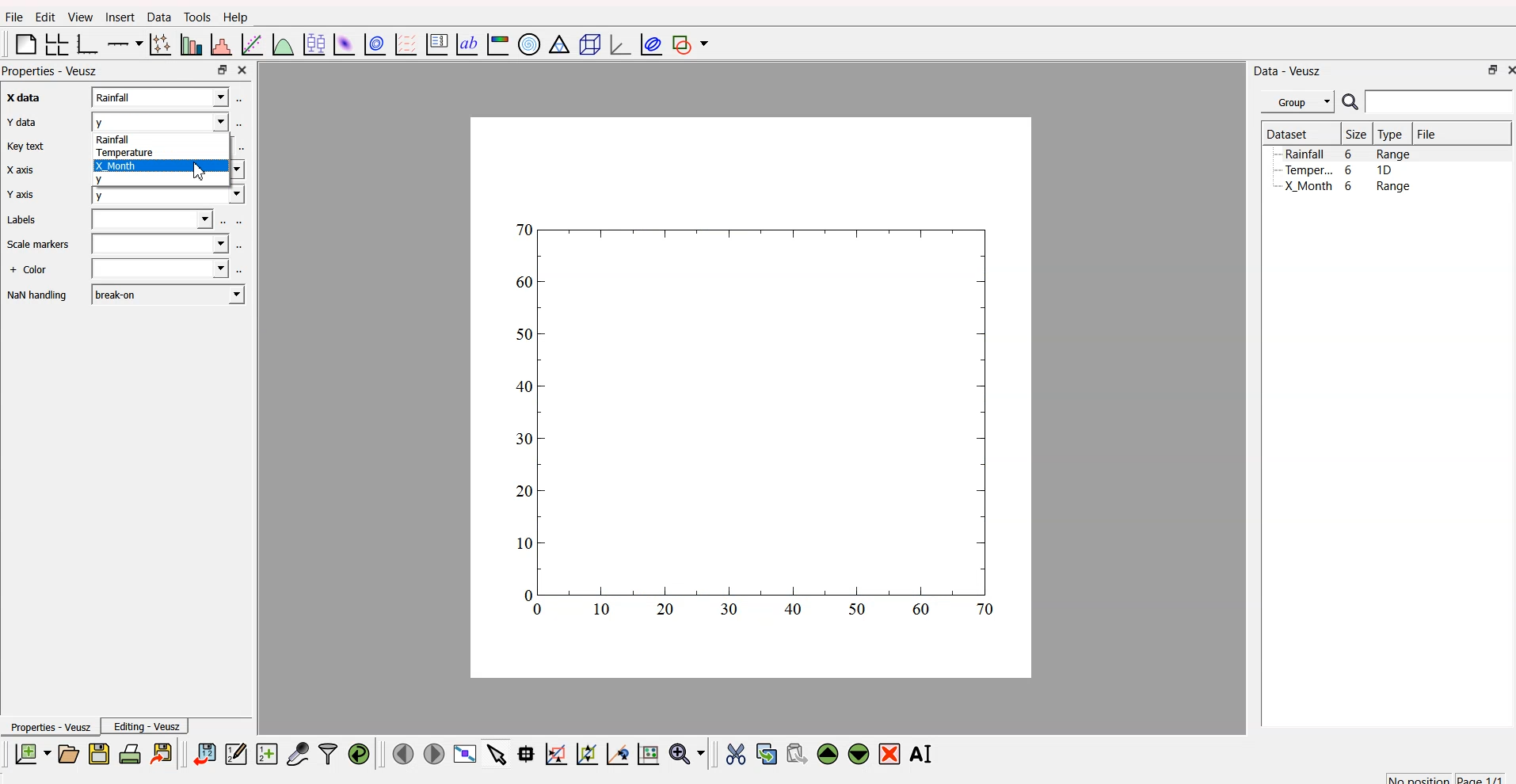  What do you see at coordinates (161, 97) in the screenshot?
I see `x` at bounding box center [161, 97].